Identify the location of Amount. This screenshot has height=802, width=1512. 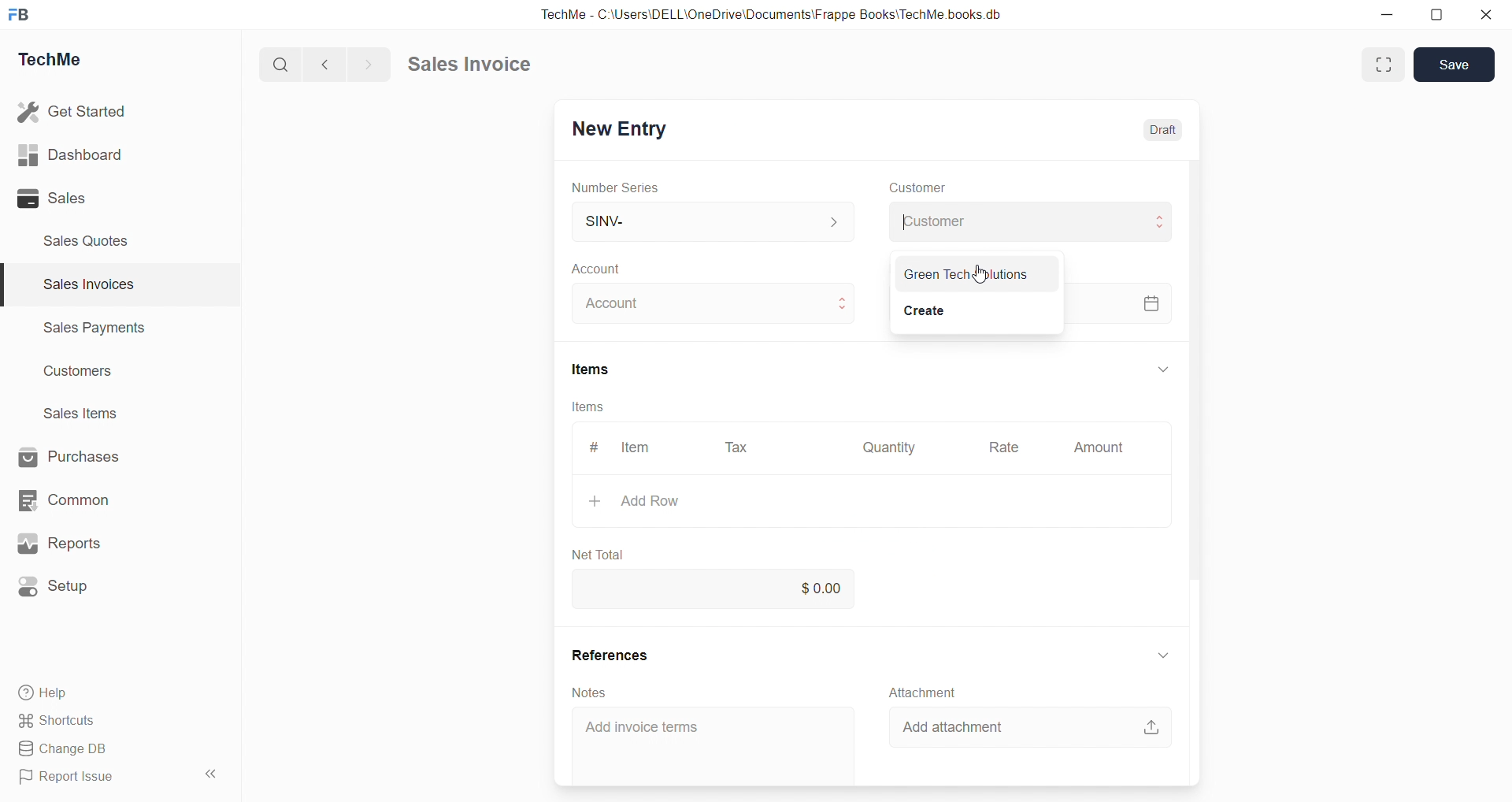
(1099, 447).